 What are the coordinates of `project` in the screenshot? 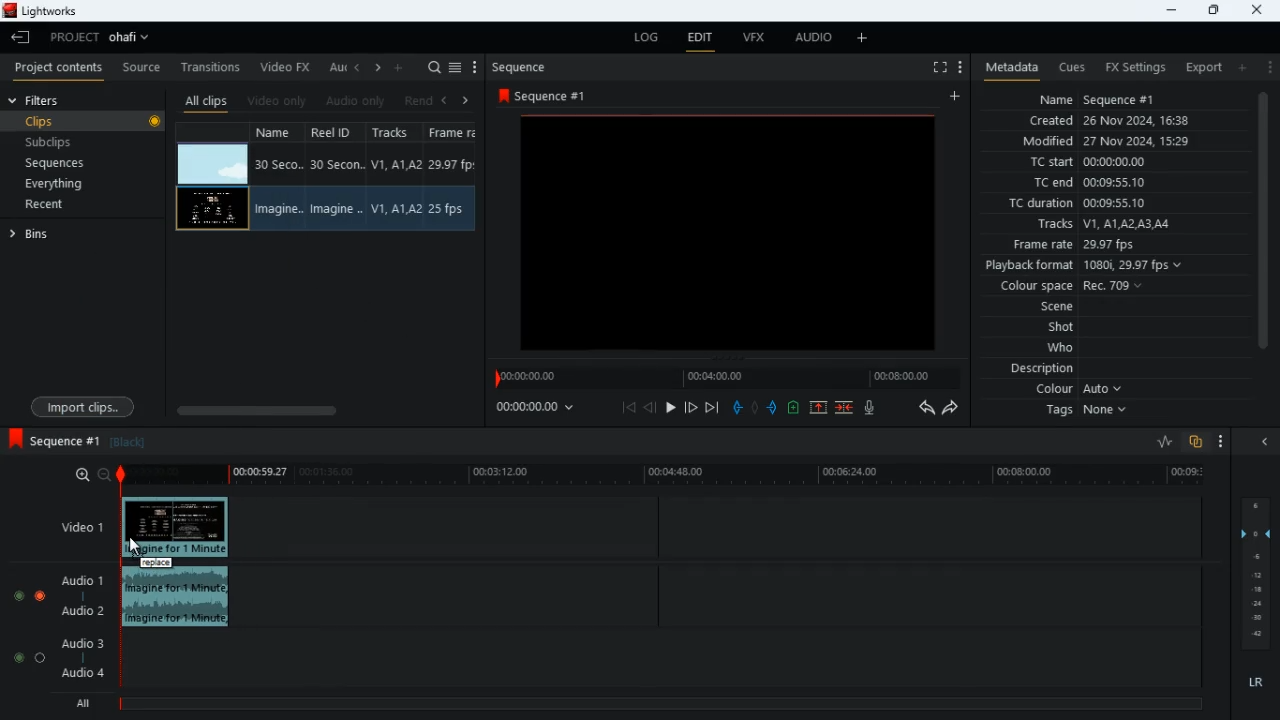 It's located at (104, 37).